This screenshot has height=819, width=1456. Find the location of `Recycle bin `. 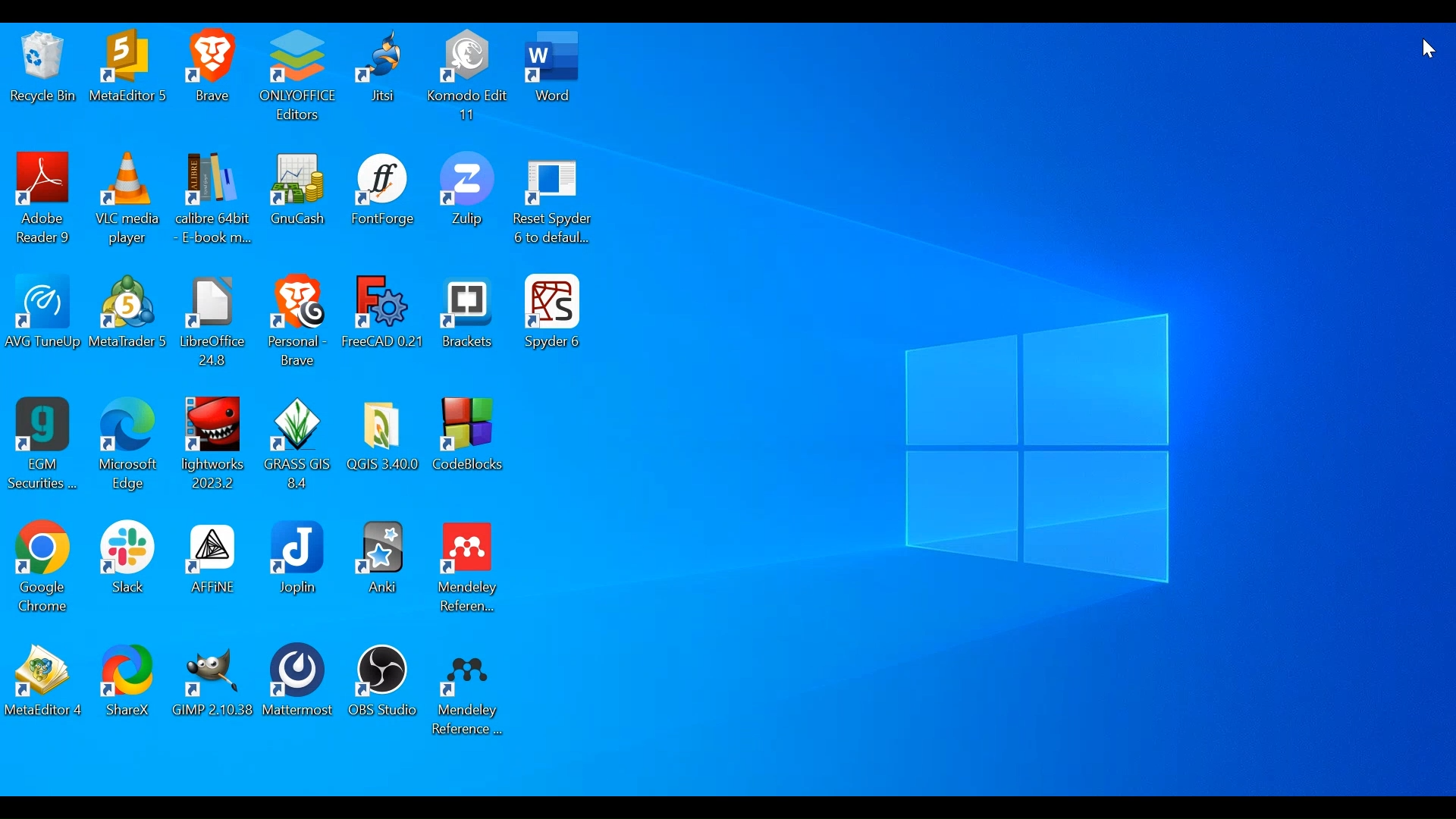

Recycle bin  is located at coordinates (42, 76).